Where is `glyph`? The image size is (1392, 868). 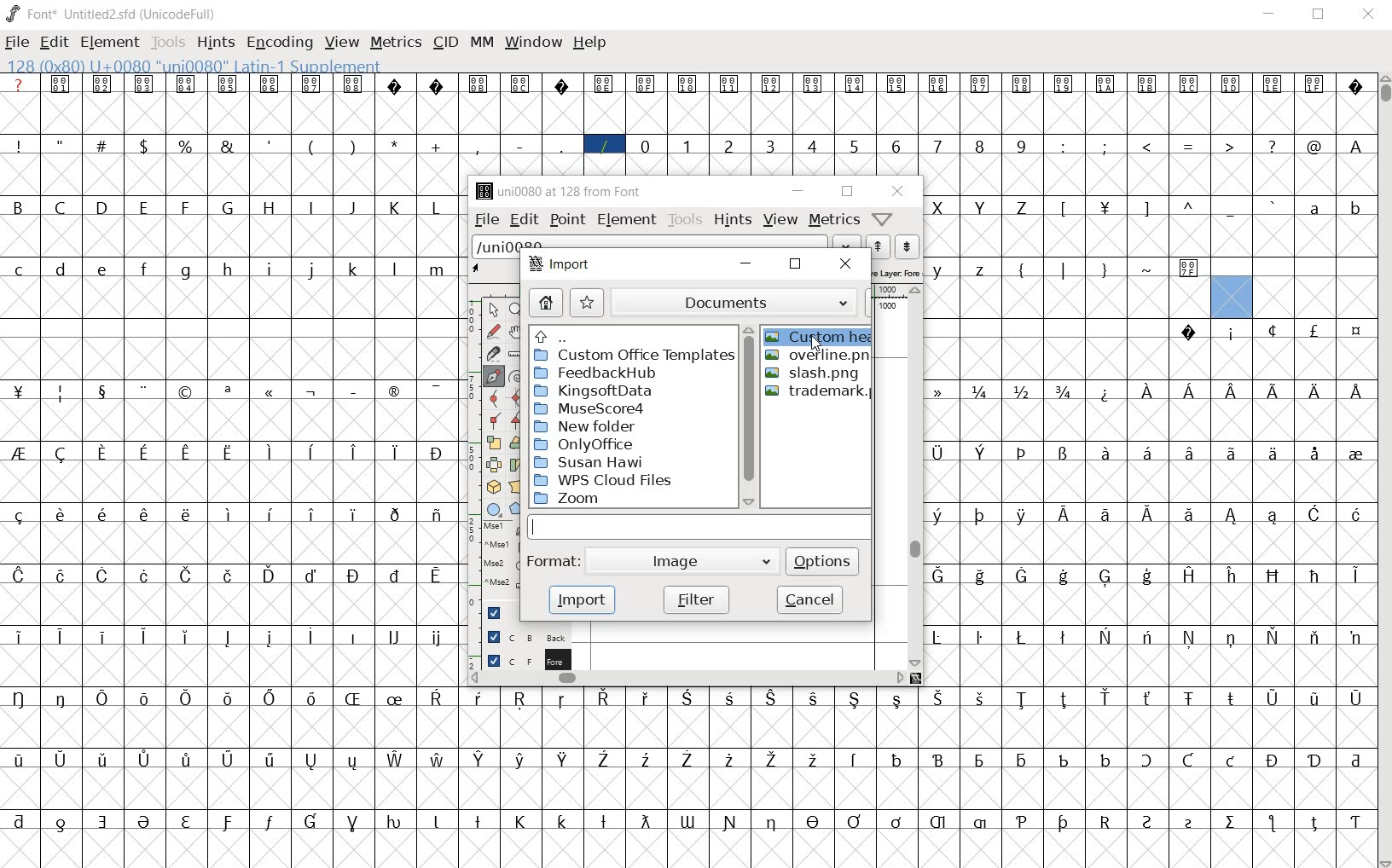 glyph is located at coordinates (1020, 208).